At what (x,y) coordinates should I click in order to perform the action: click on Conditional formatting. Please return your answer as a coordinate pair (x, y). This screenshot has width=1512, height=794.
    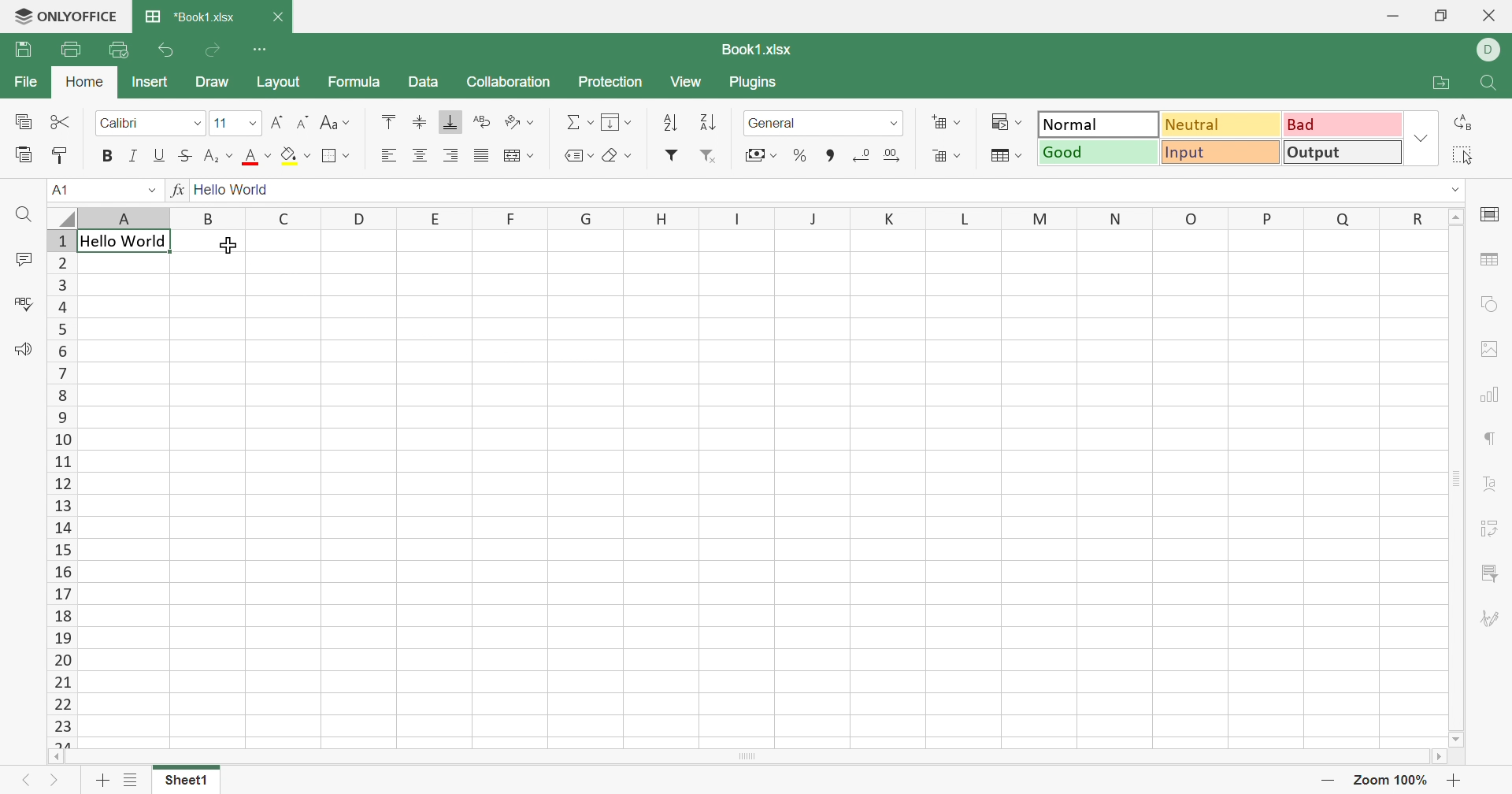
    Looking at the image, I should click on (1004, 121).